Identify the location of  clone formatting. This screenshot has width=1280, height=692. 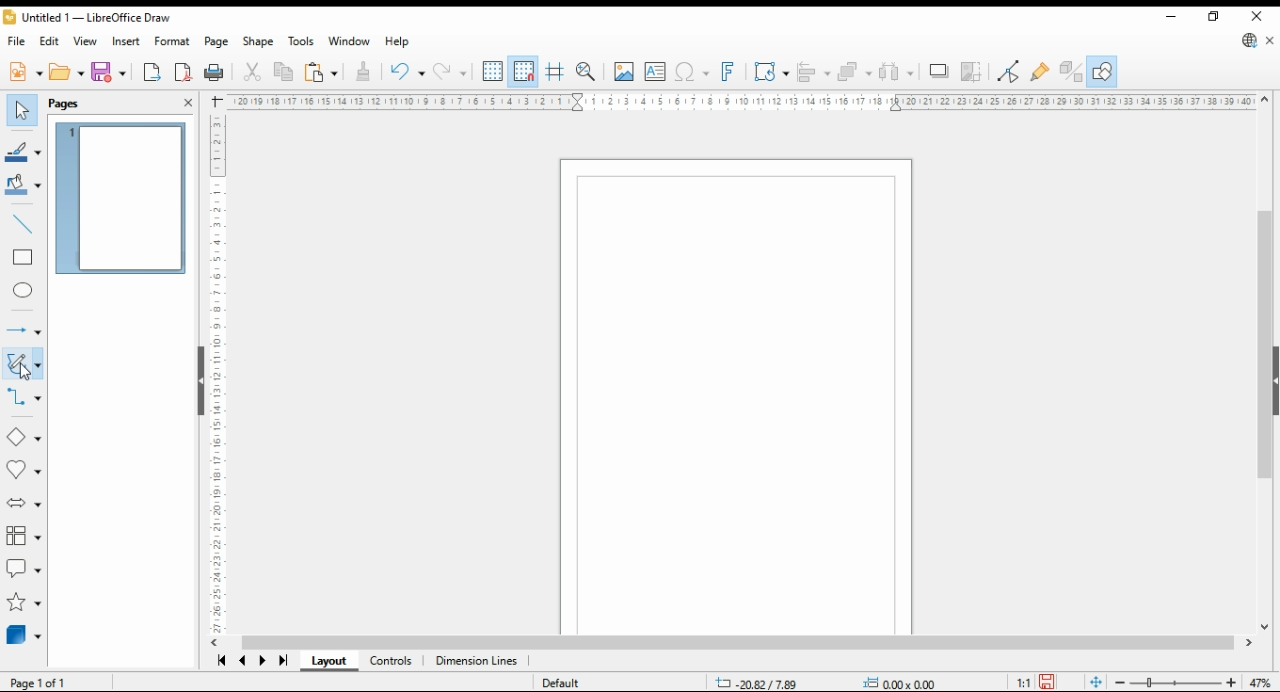
(365, 71).